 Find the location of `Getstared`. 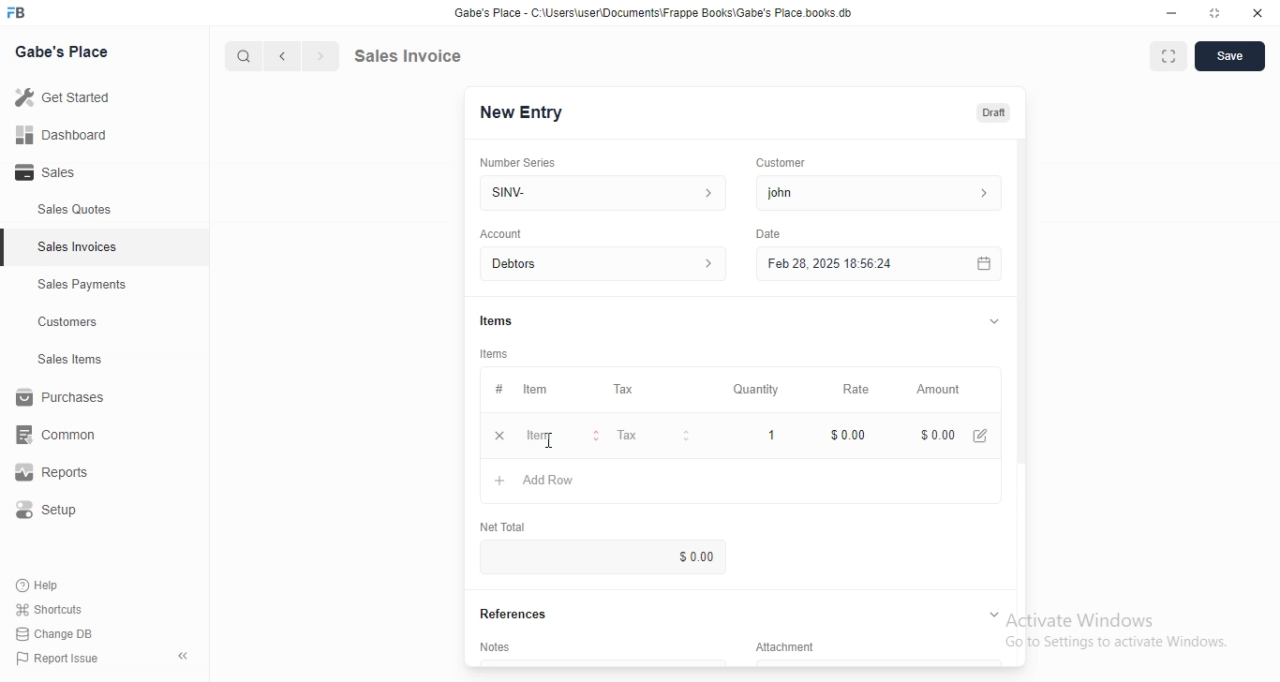

Getstared is located at coordinates (68, 99).